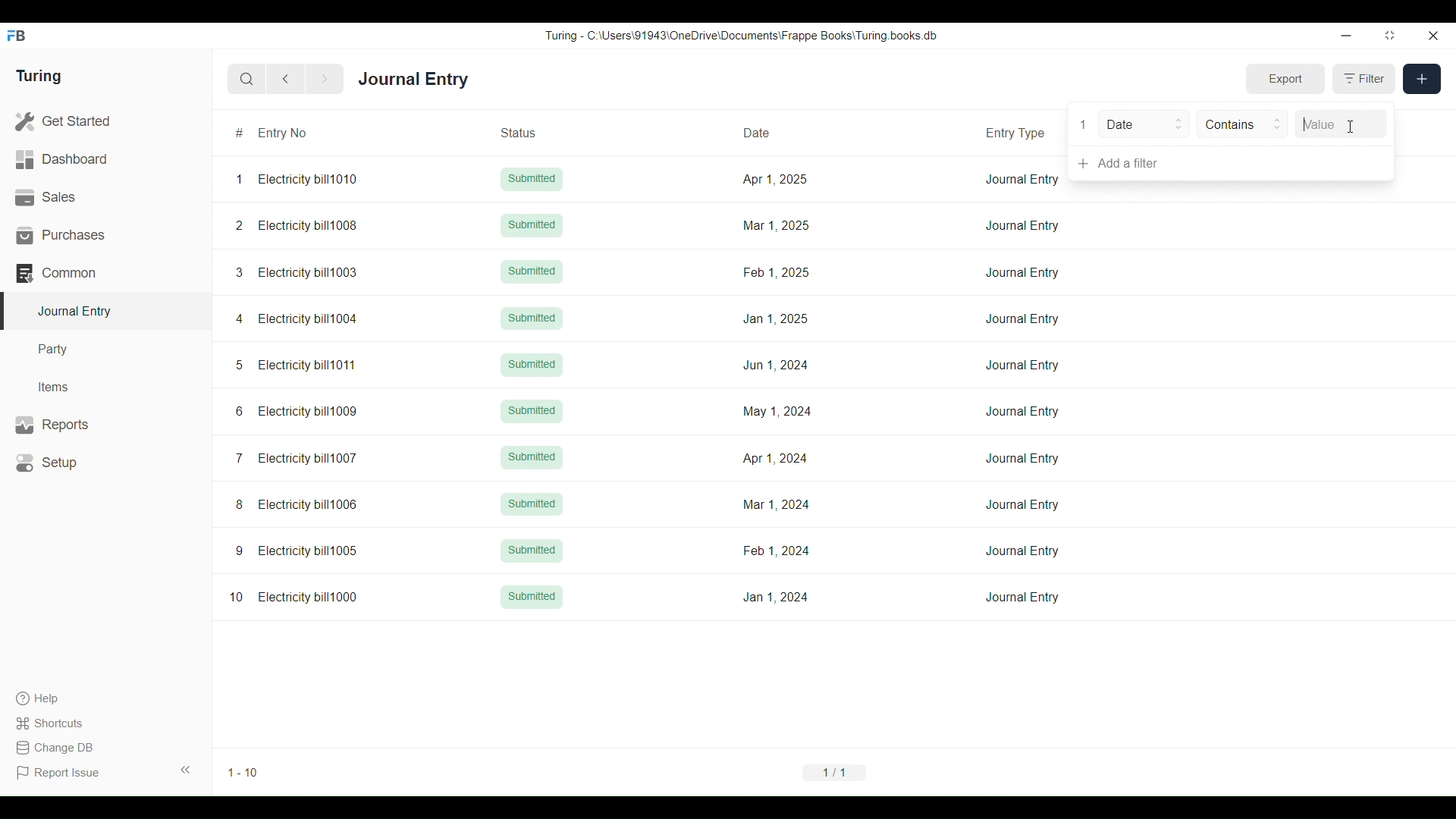 The width and height of the screenshot is (1456, 819). Describe the element at coordinates (532, 365) in the screenshot. I see `Submitted` at that location.